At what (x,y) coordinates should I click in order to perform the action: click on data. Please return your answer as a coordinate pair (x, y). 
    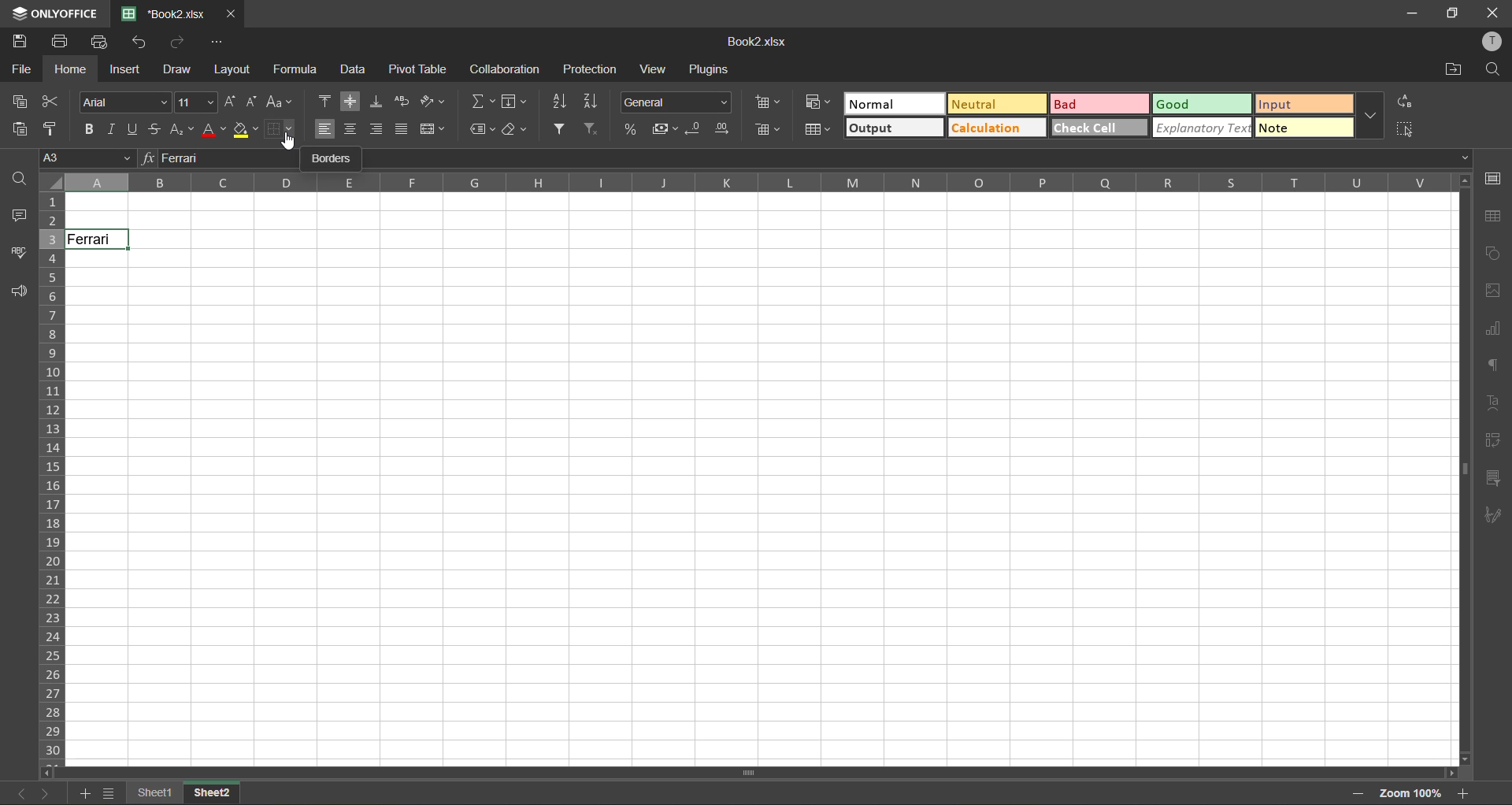
    Looking at the image, I should click on (356, 69).